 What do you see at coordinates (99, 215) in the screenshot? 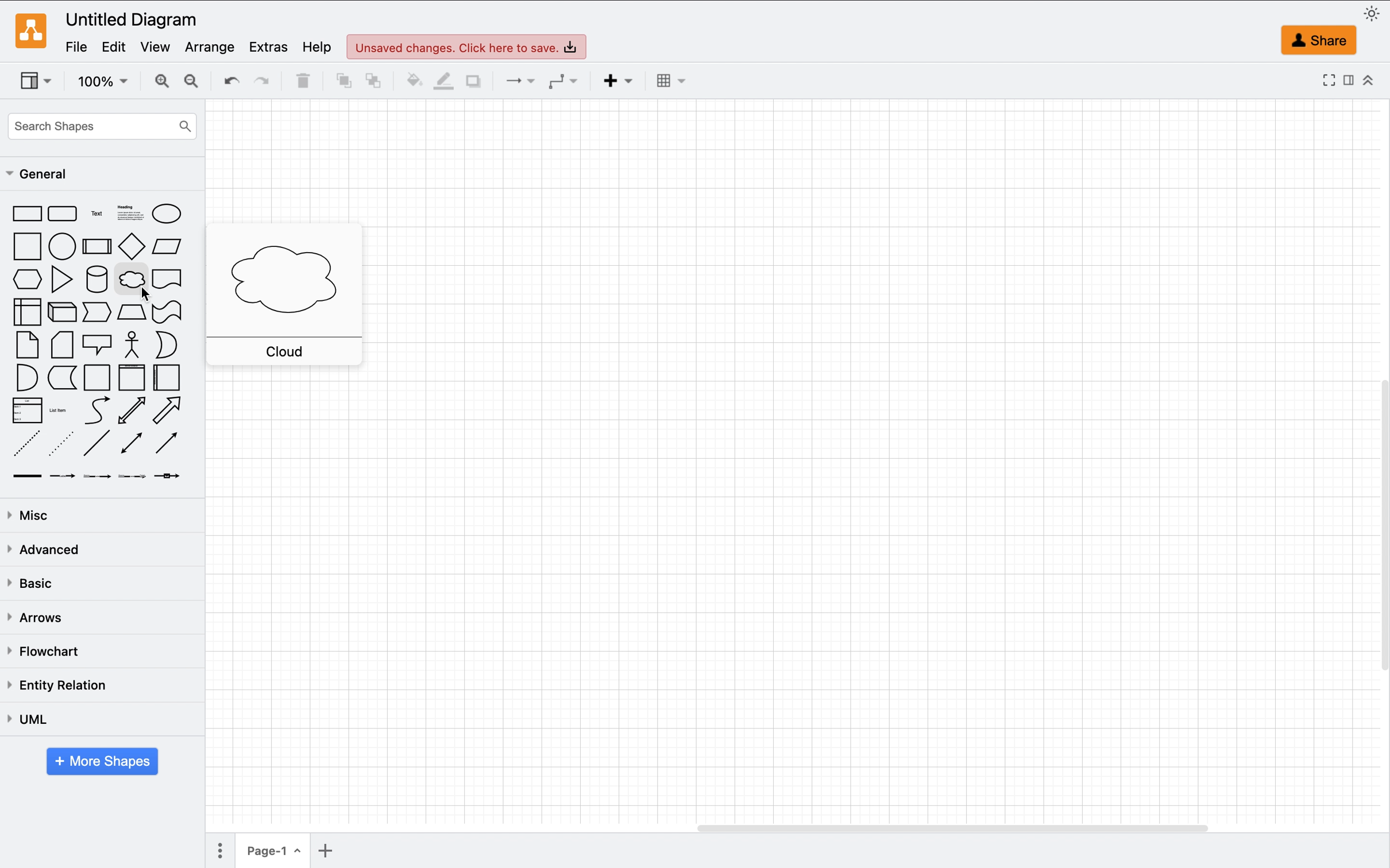
I see `text` at bounding box center [99, 215].